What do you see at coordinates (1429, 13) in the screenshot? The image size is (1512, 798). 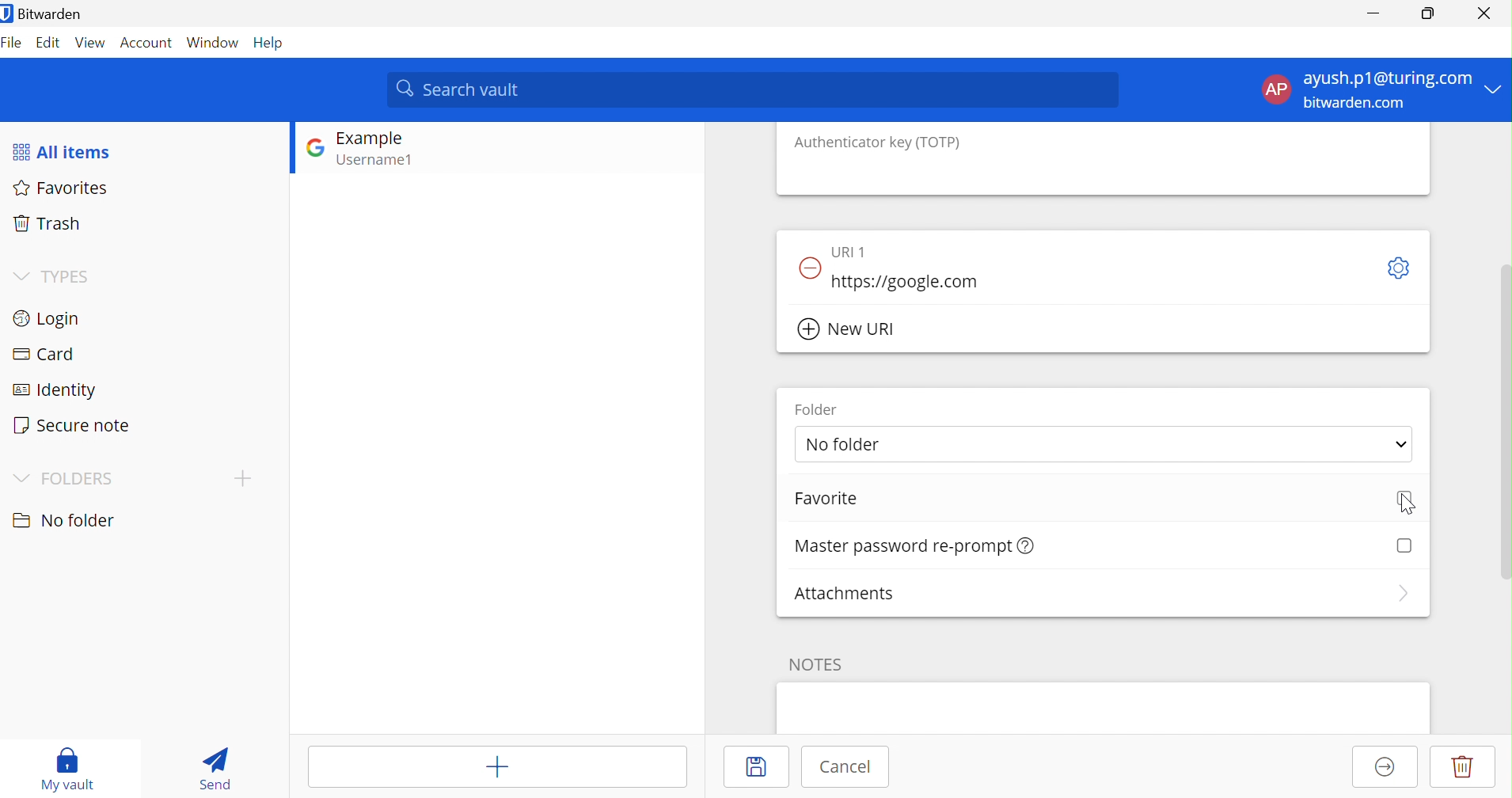 I see `Restore Down` at bounding box center [1429, 13].